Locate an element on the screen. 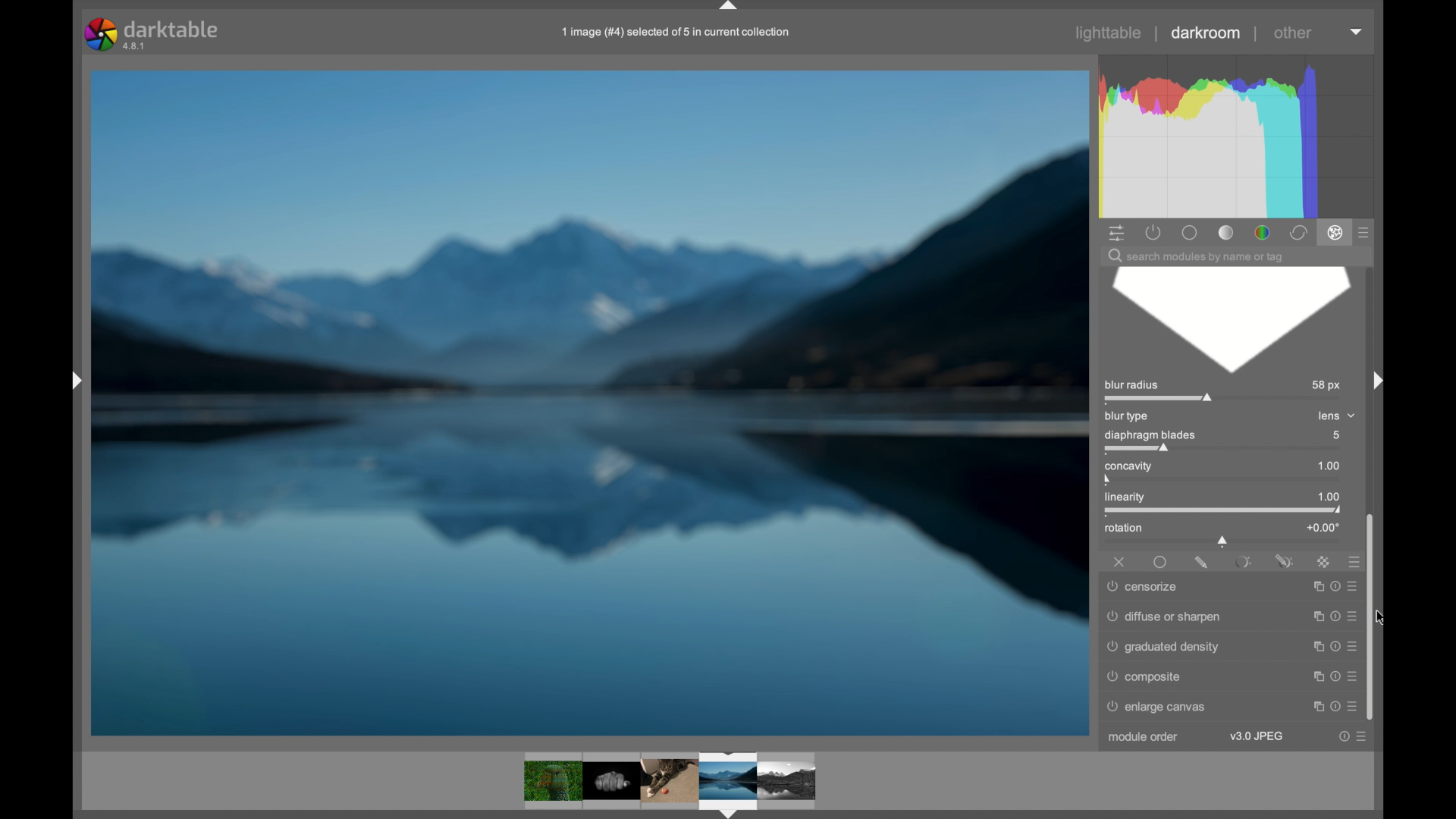   is located at coordinates (669, 781).